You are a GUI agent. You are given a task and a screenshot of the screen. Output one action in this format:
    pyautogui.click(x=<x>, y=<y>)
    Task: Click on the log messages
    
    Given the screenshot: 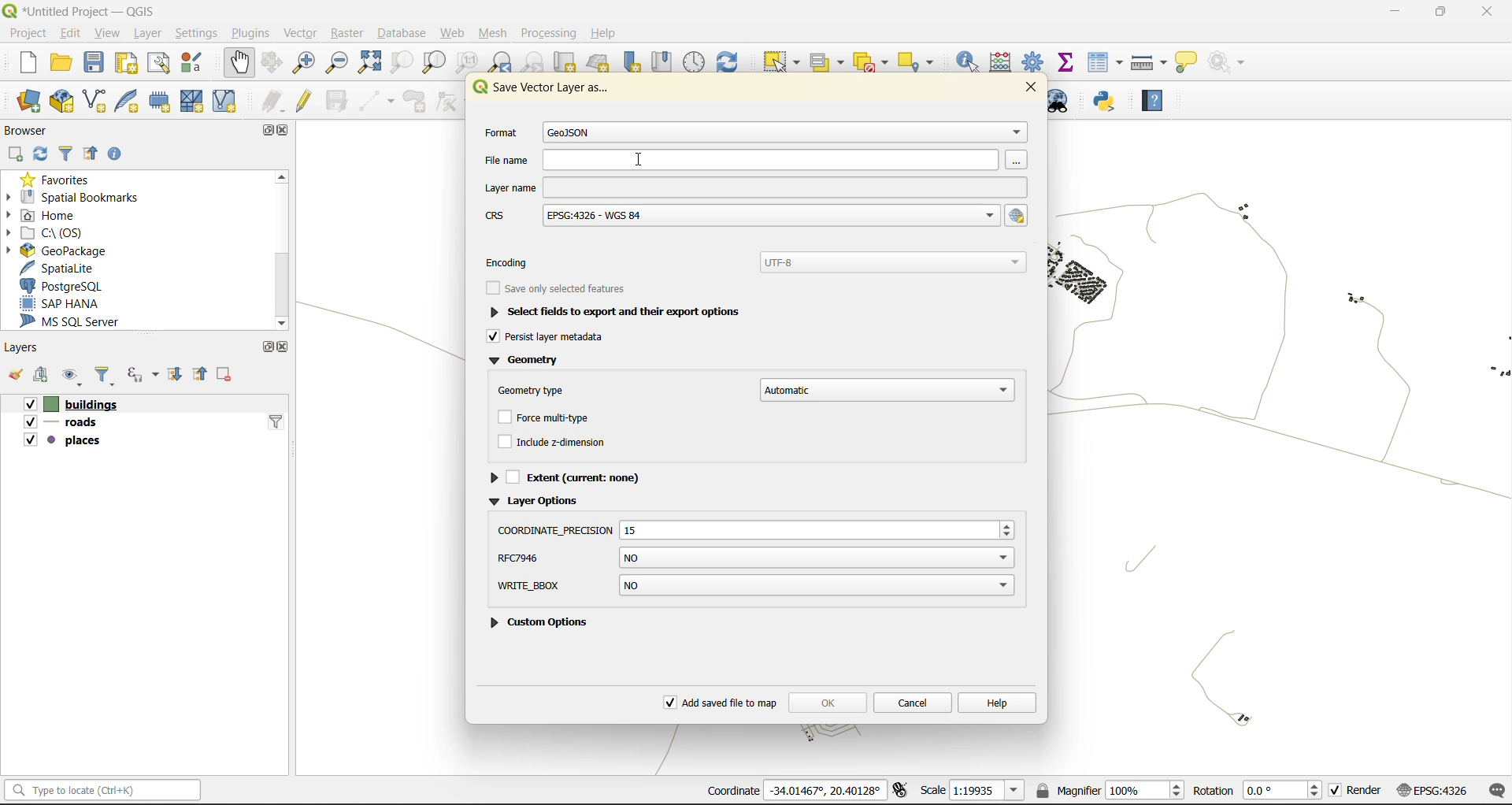 What is the action you would take?
    pyautogui.click(x=1494, y=789)
    